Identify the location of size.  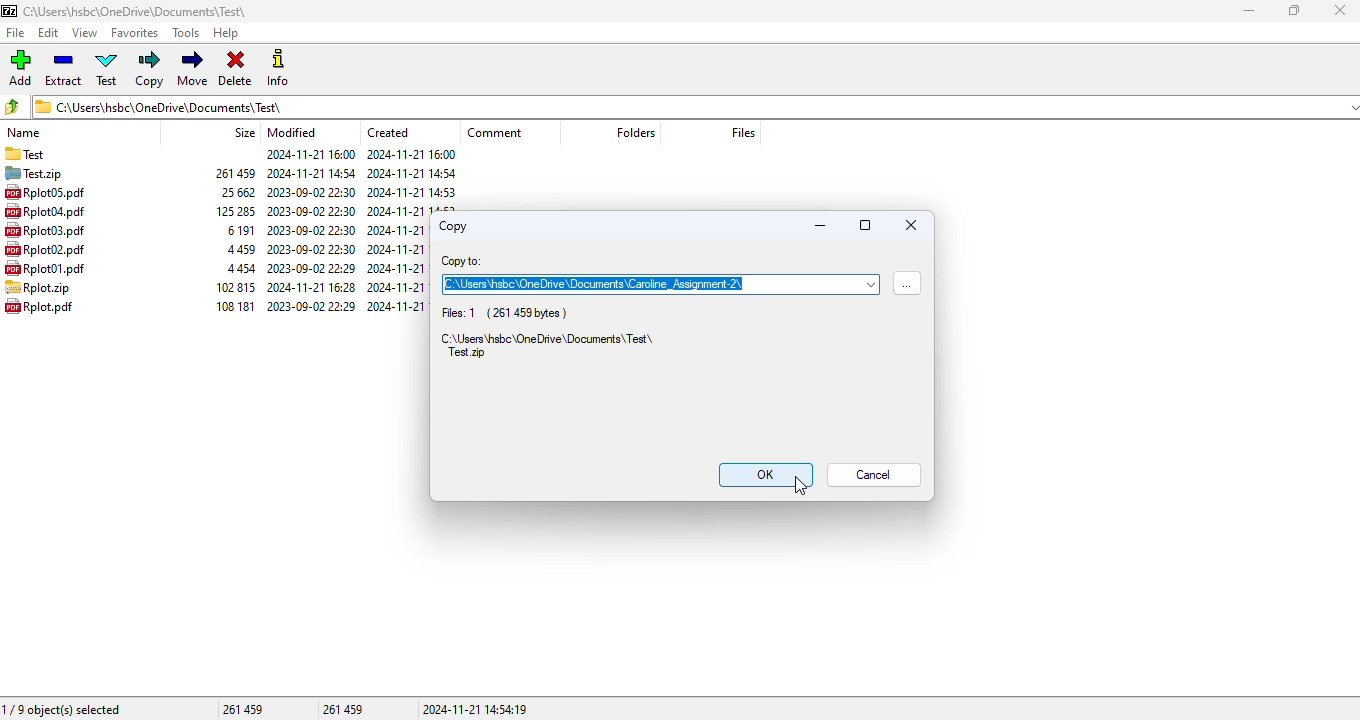
(232, 173).